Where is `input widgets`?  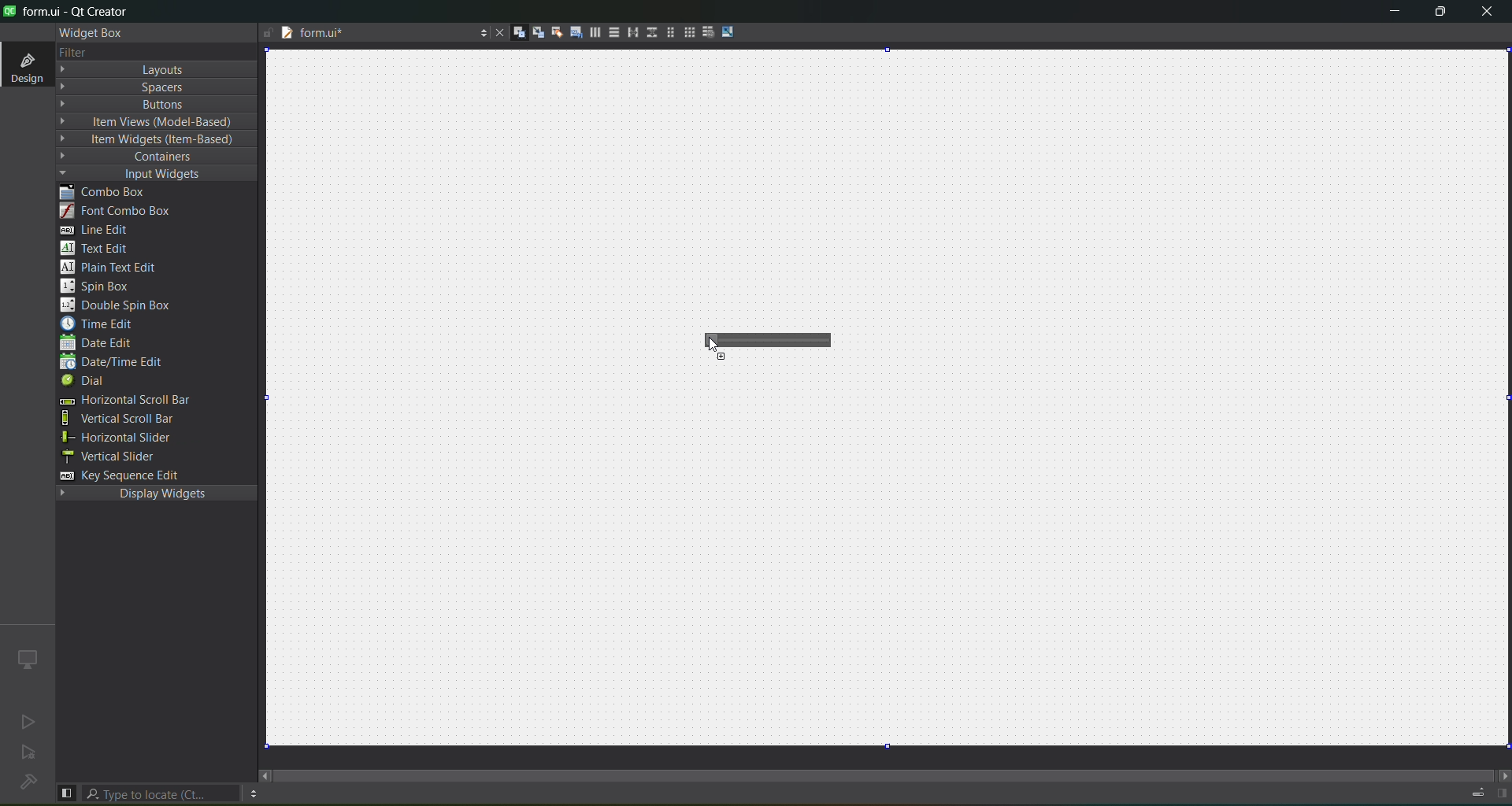 input widgets is located at coordinates (142, 173).